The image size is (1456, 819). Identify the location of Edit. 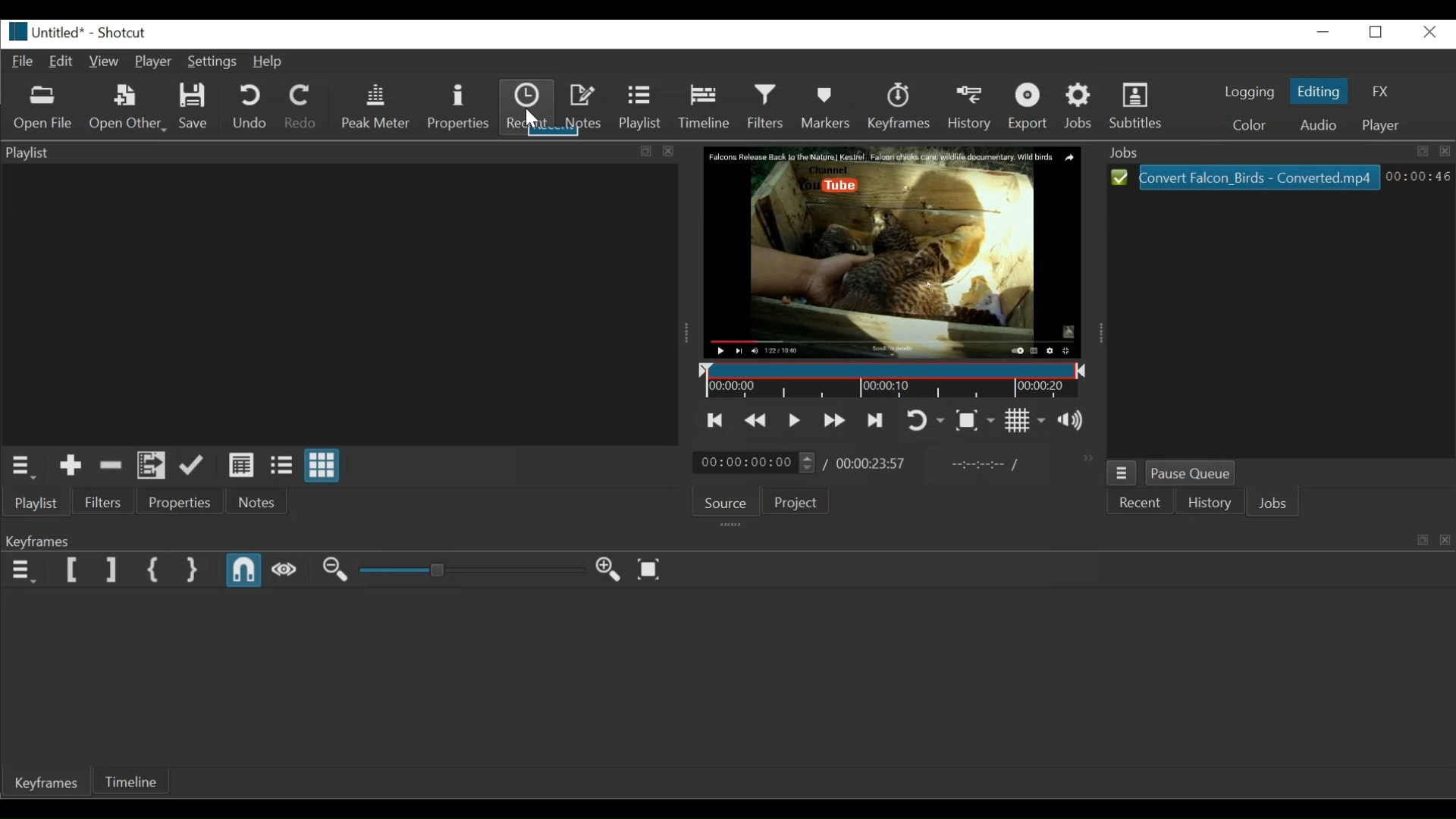
(61, 62).